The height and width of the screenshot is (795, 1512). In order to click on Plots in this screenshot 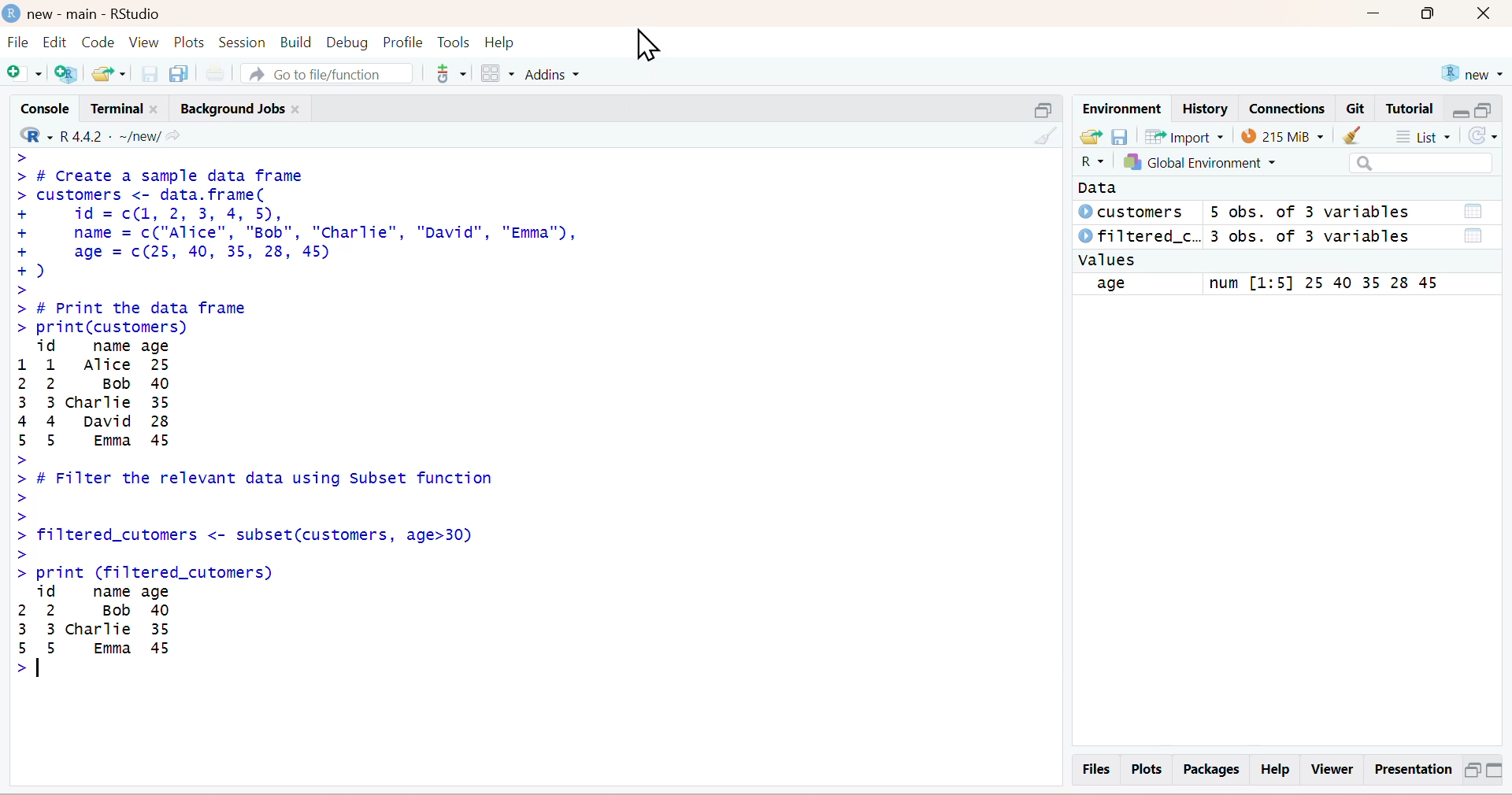, I will do `click(1147, 769)`.